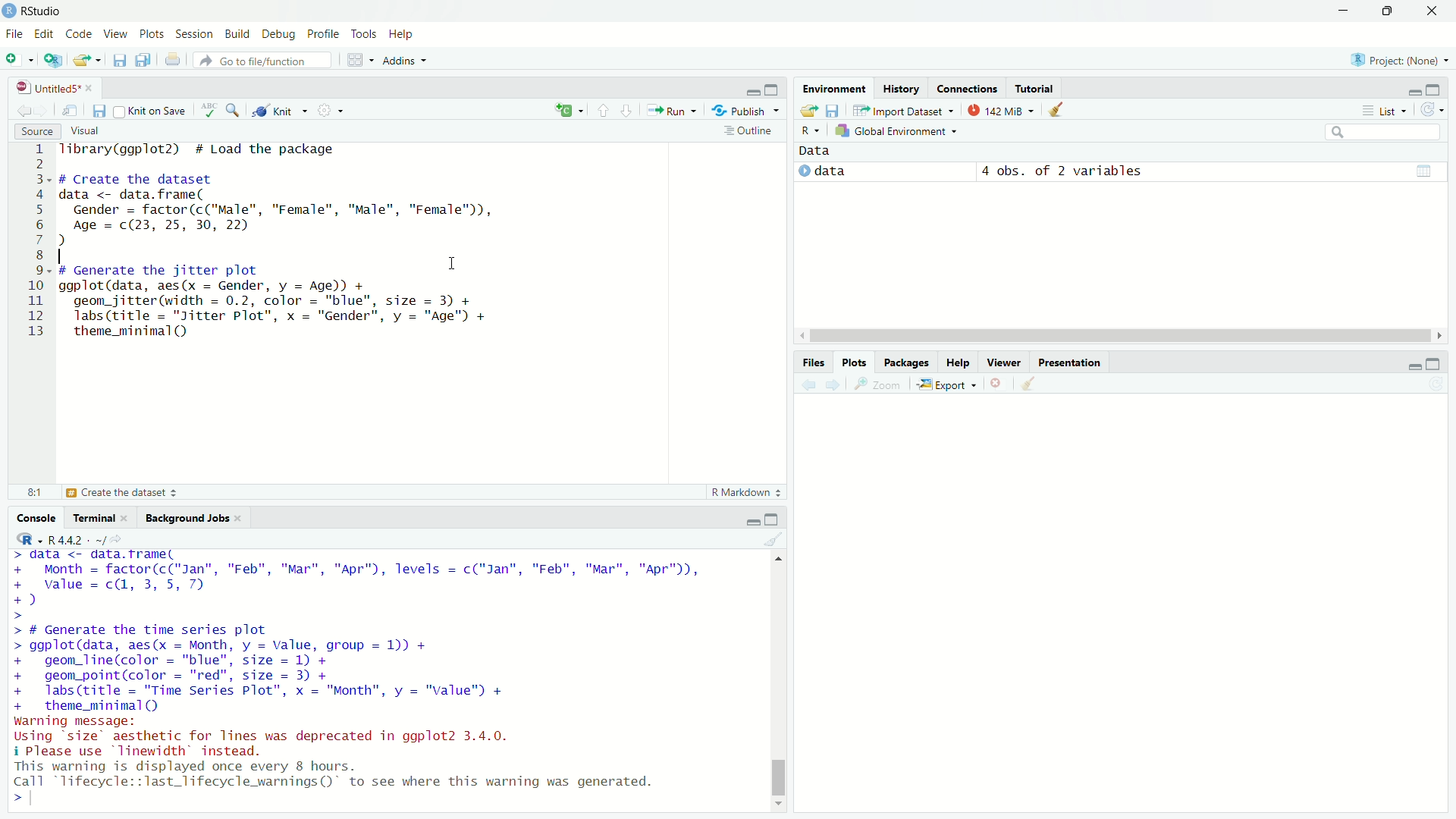 The width and height of the screenshot is (1456, 819). What do you see at coordinates (325, 33) in the screenshot?
I see `profile` at bounding box center [325, 33].